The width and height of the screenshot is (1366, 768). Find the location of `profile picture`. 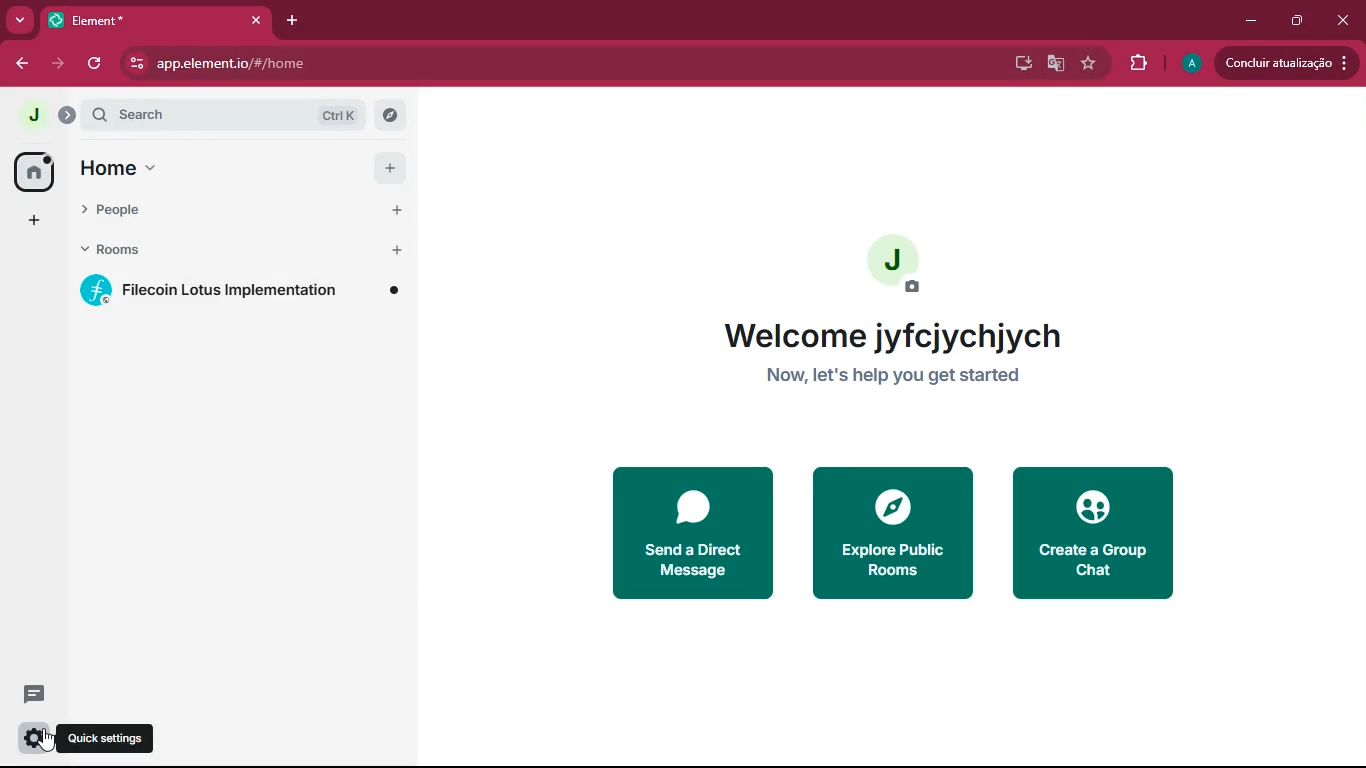

profile picture is located at coordinates (886, 259).